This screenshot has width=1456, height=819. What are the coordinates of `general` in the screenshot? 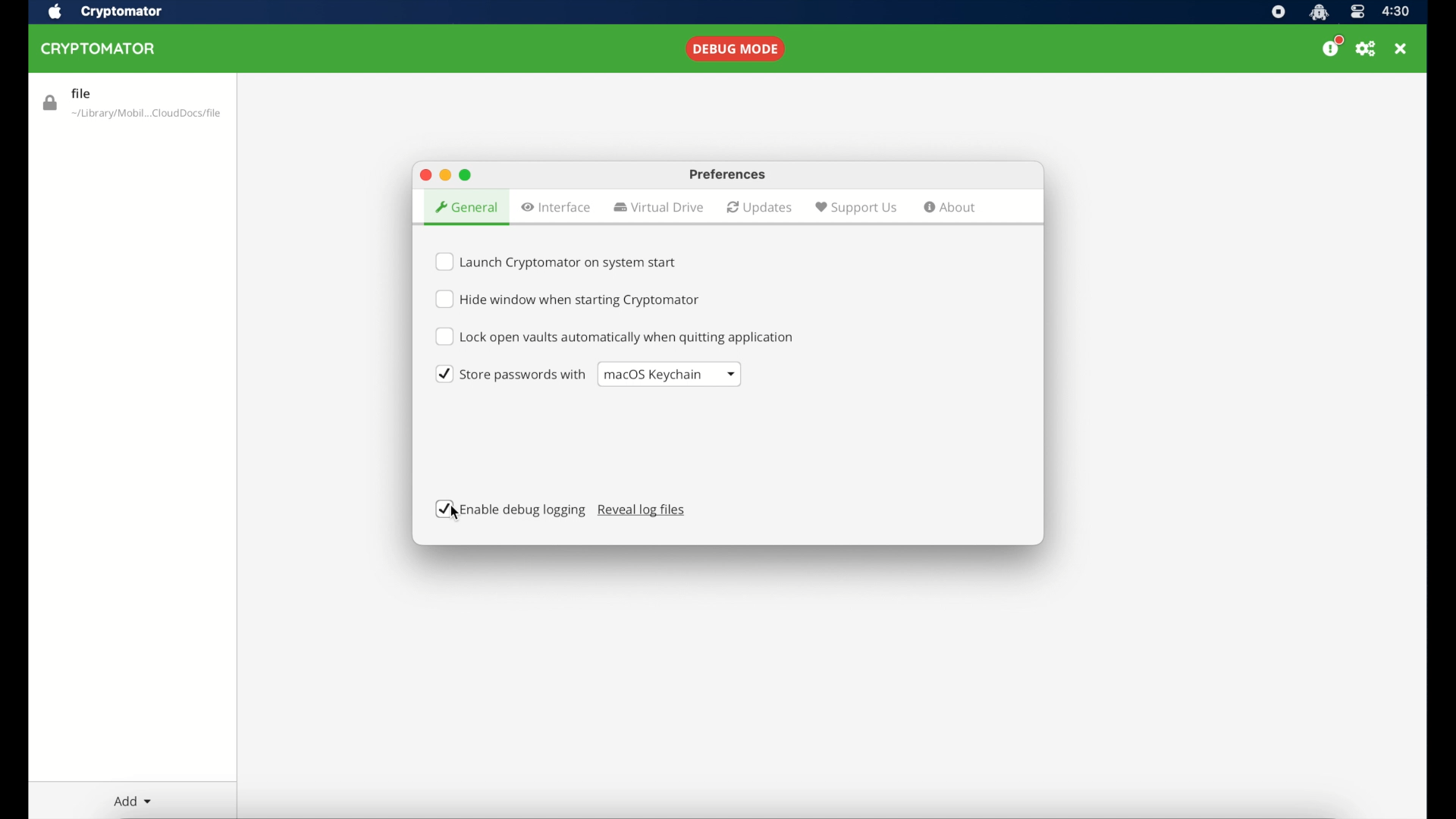 It's located at (465, 208).